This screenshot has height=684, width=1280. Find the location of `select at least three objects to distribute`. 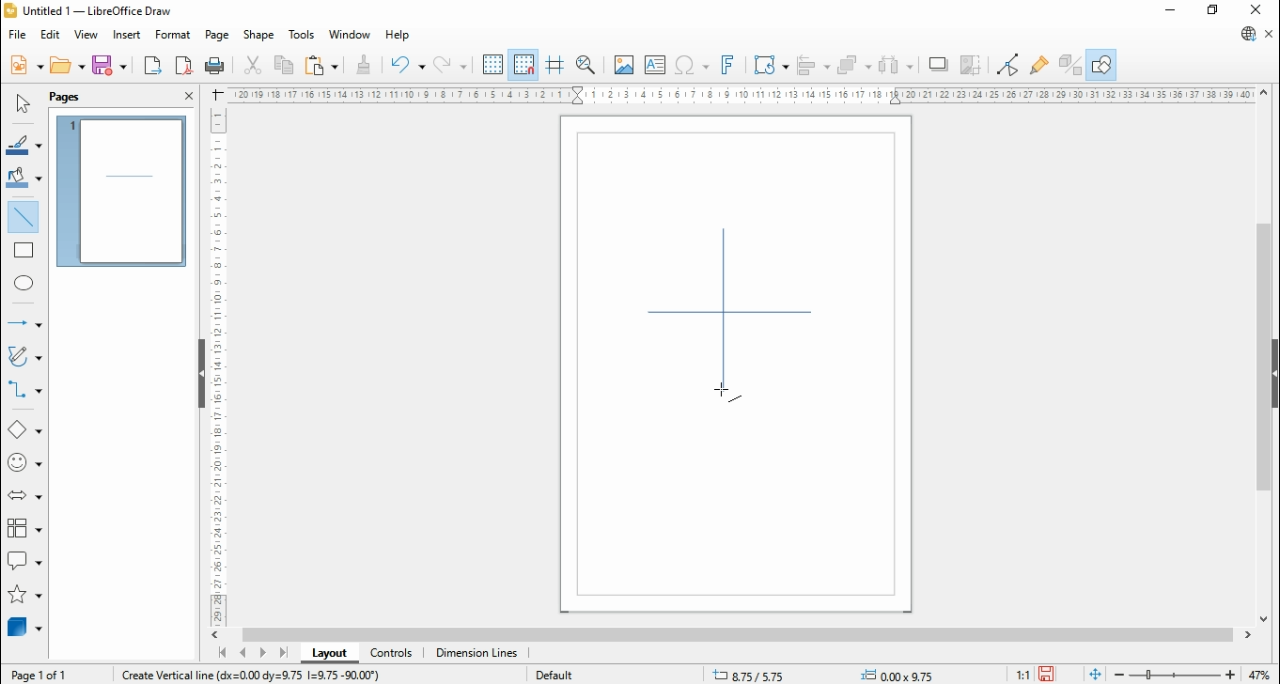

select at least three objects to distribute is located at coordinates (897, 65).